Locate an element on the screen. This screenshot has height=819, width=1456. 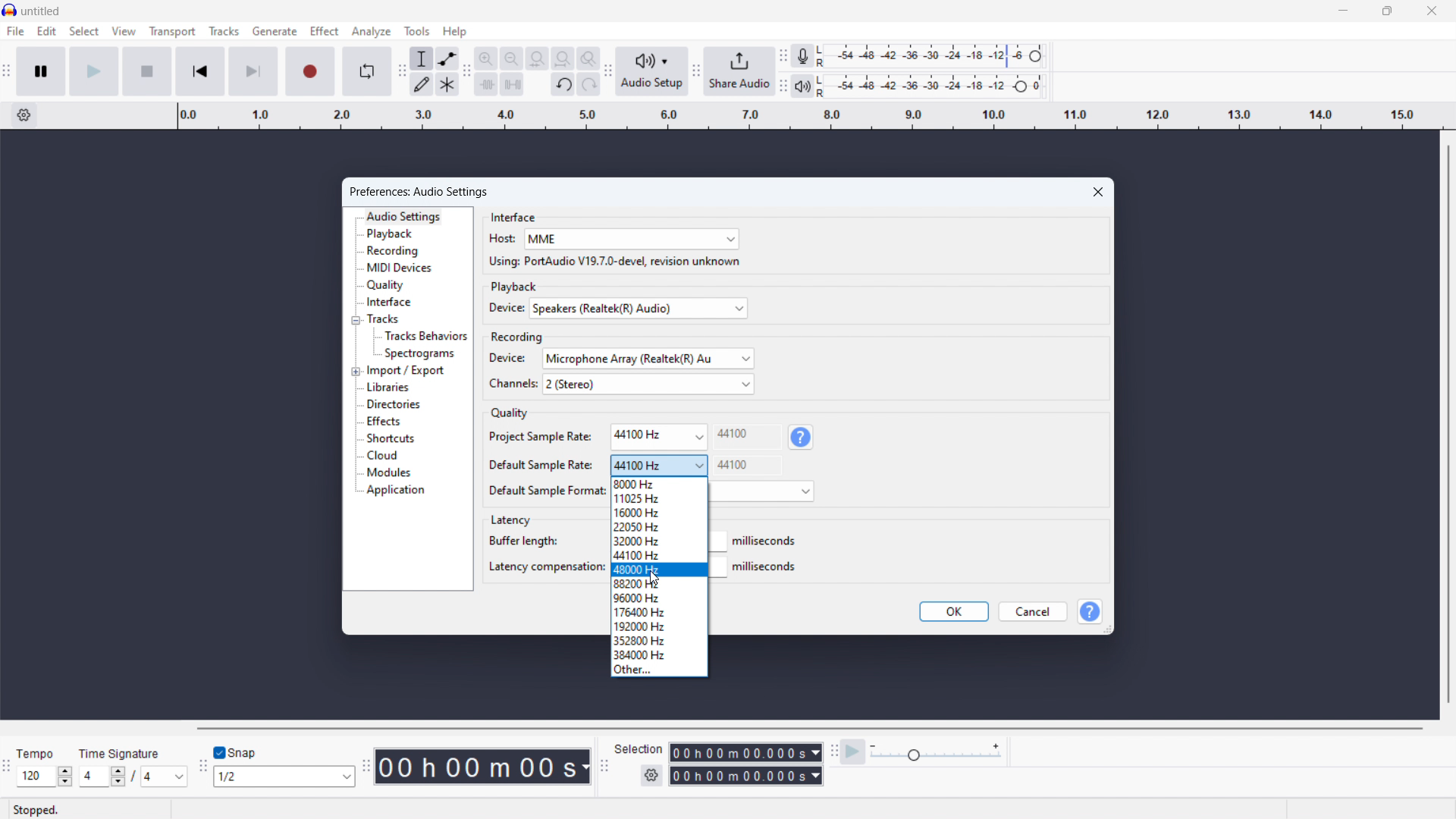
time signature toolbar is located at coordinates (8, 767).